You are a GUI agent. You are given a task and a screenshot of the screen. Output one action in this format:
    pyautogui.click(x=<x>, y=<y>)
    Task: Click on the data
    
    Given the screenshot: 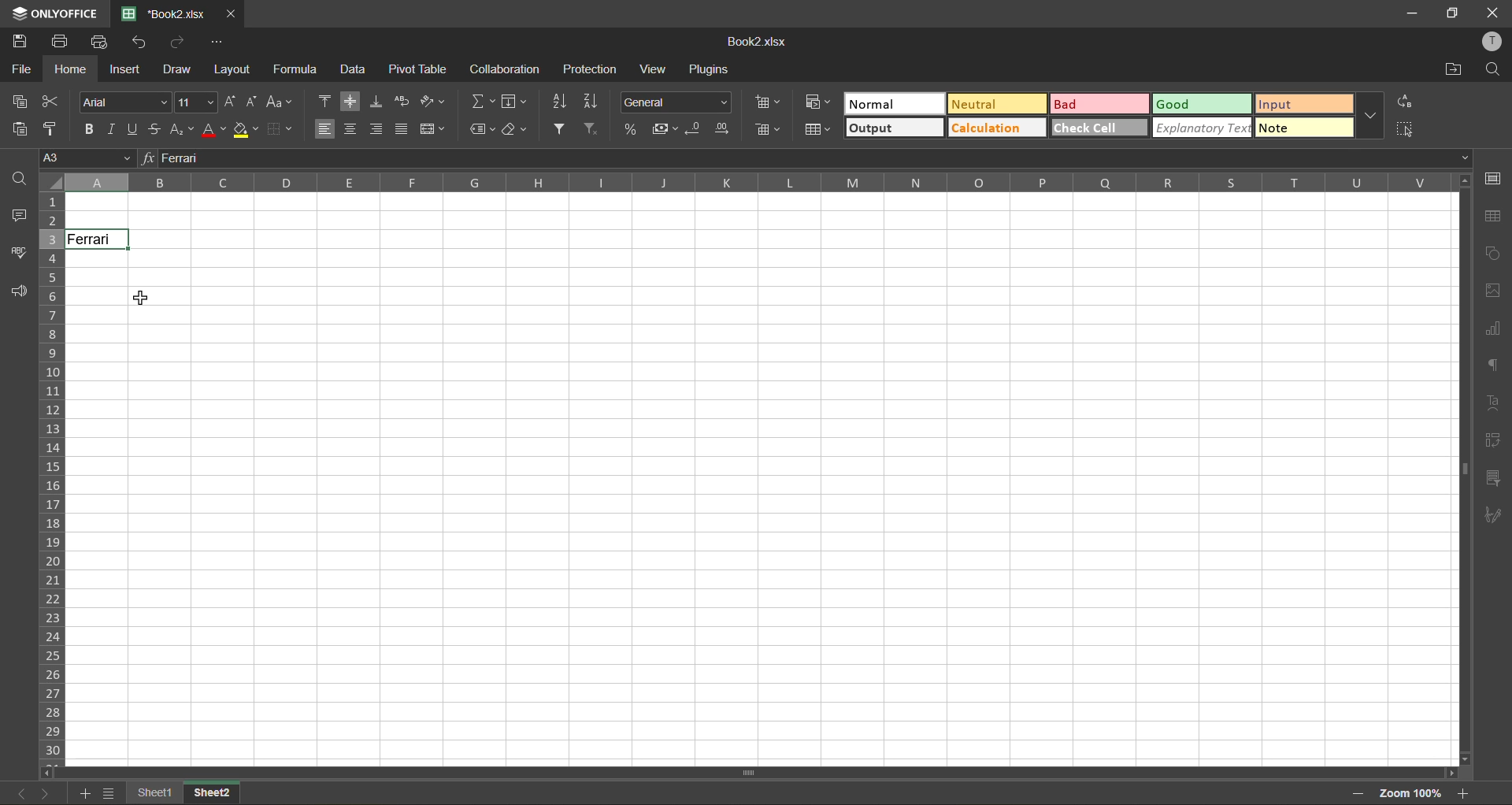 What is the action you would take?
    pyautogui.click(x=356, y=70)
    